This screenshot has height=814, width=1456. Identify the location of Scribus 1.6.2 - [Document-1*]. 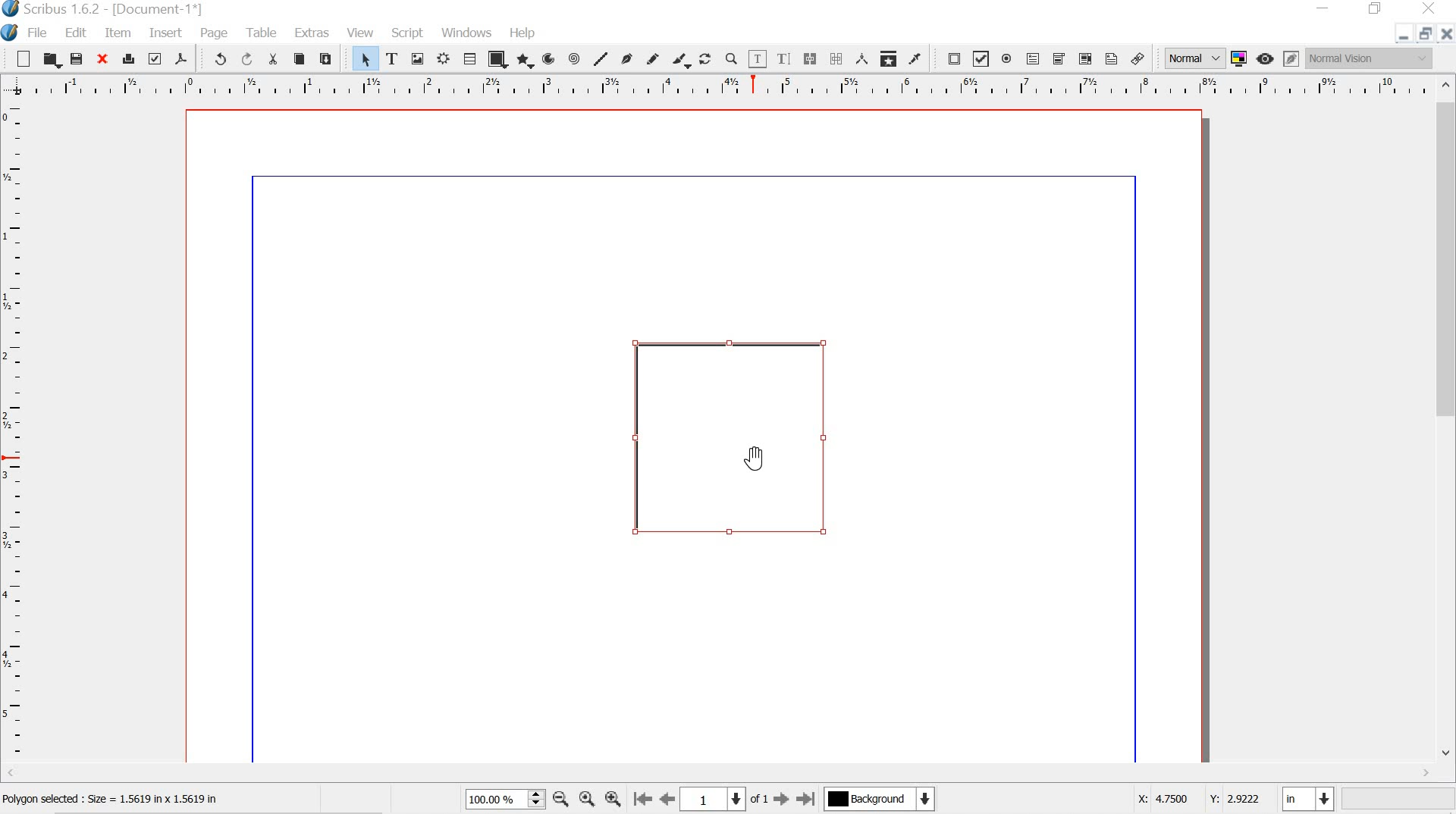
(124, 9).